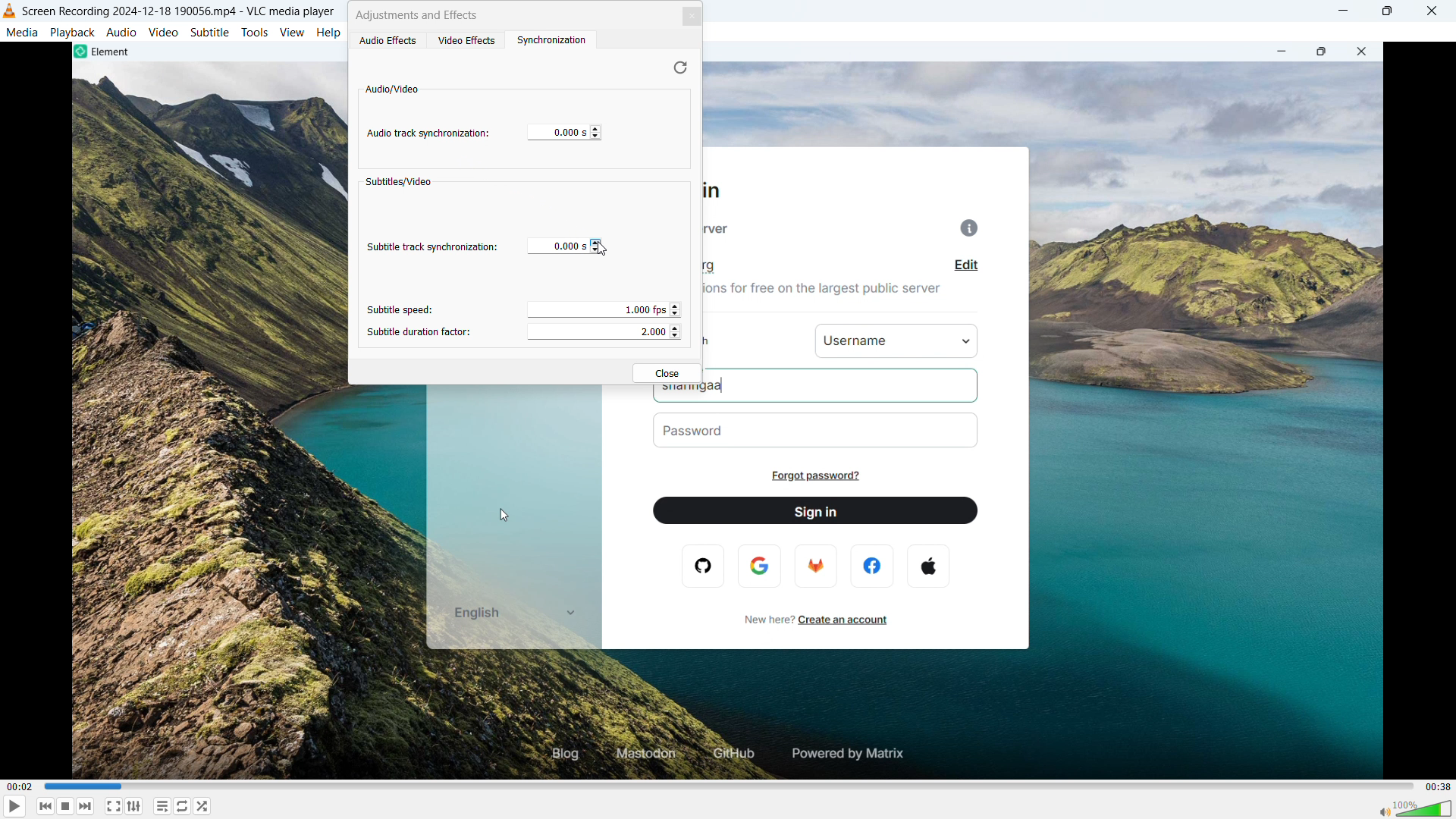 The image size is (1456, 819). I want to click on username, so click(898, 339).